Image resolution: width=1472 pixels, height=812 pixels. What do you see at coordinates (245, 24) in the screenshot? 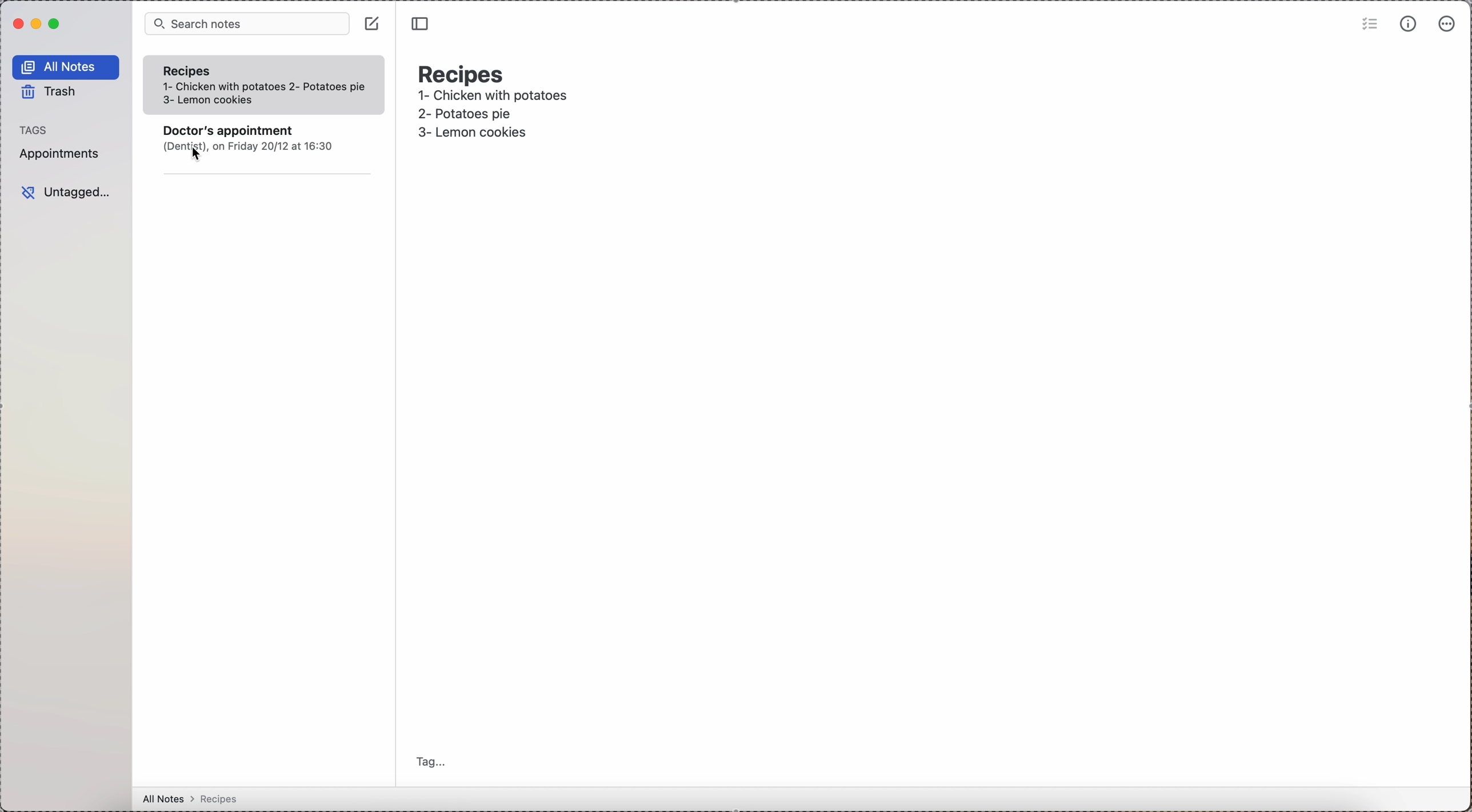
I see `search bar` at bounding box center [245, 24].